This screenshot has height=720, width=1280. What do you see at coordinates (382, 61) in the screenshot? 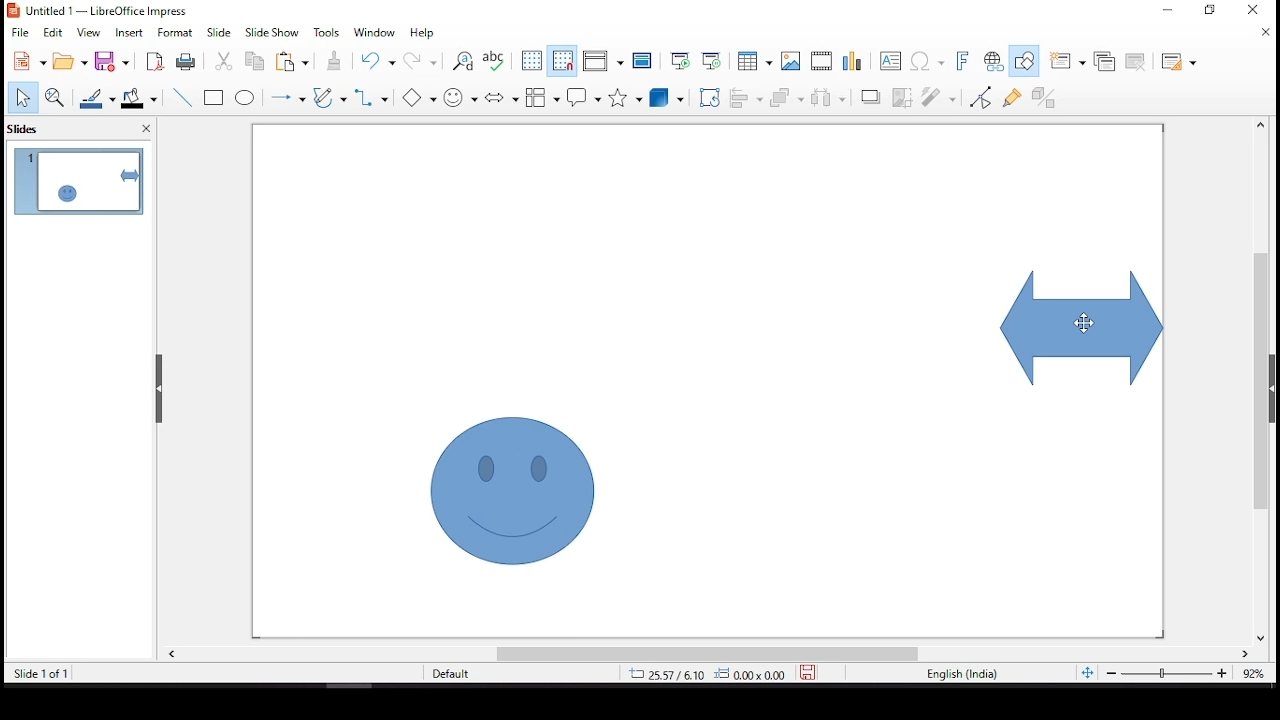
I see `undo` at bounding box center [382, 61].